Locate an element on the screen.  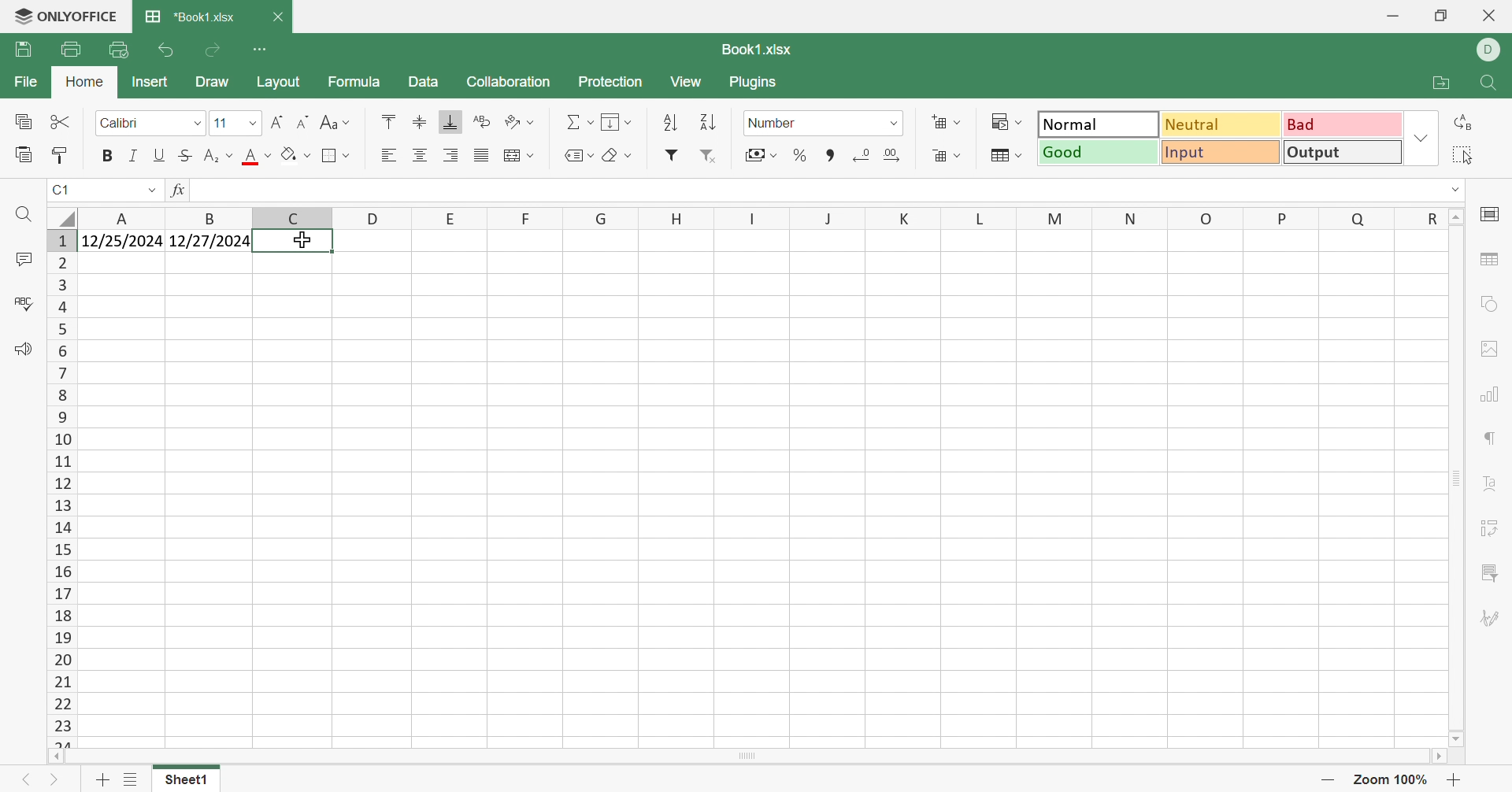
Slicer settings is located at coordinates (1488, 572).